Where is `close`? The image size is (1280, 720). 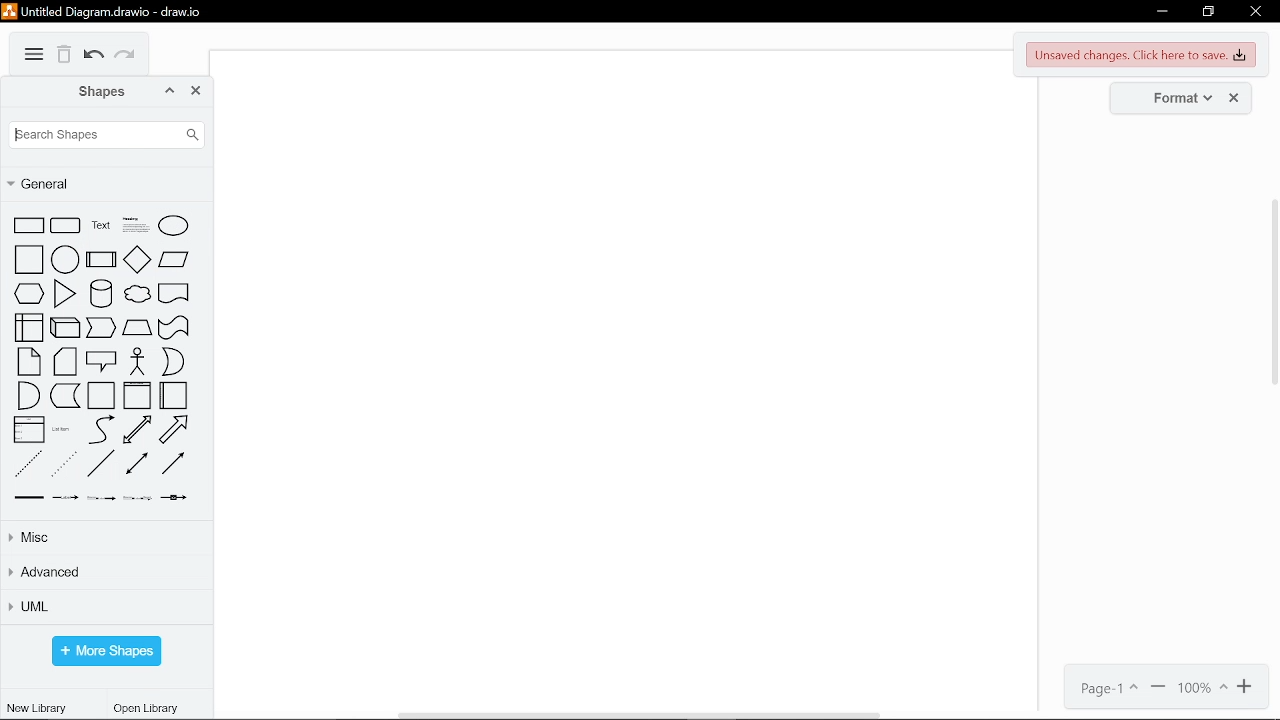 close is located at coordinates (1237, 98).